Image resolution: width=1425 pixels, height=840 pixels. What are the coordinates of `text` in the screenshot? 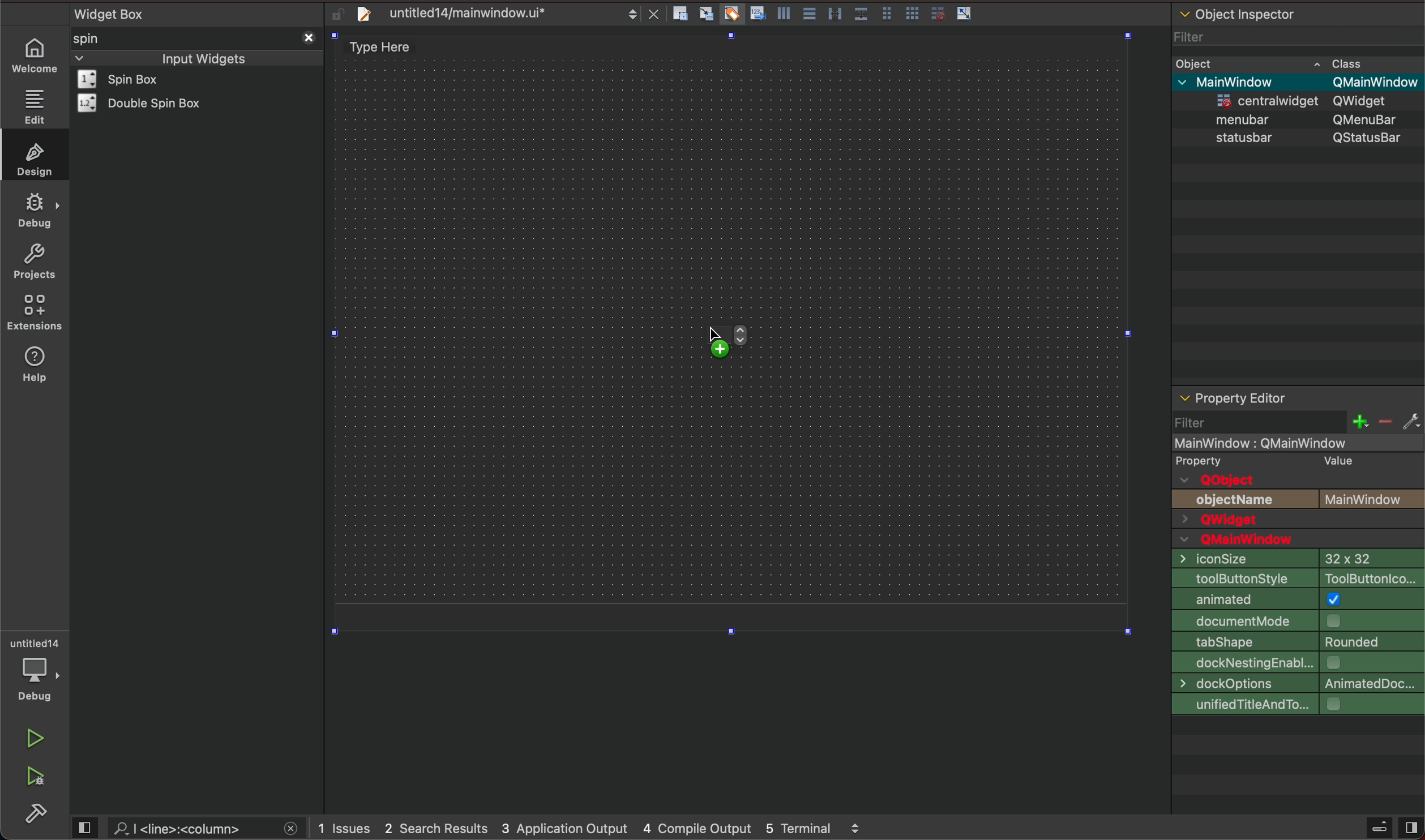 It's located at (1223, 480).